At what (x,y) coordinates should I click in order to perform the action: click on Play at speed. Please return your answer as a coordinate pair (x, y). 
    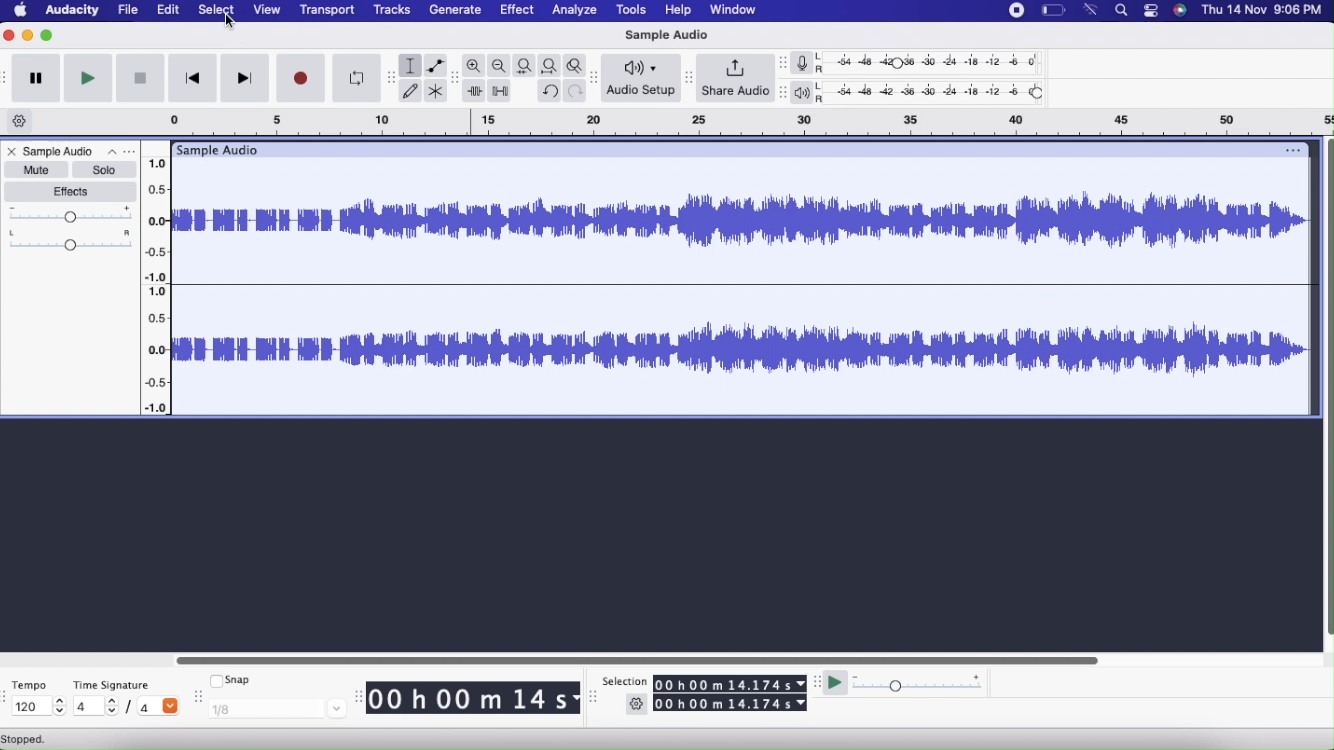
    Looking at the image, I should click on (836, 684).